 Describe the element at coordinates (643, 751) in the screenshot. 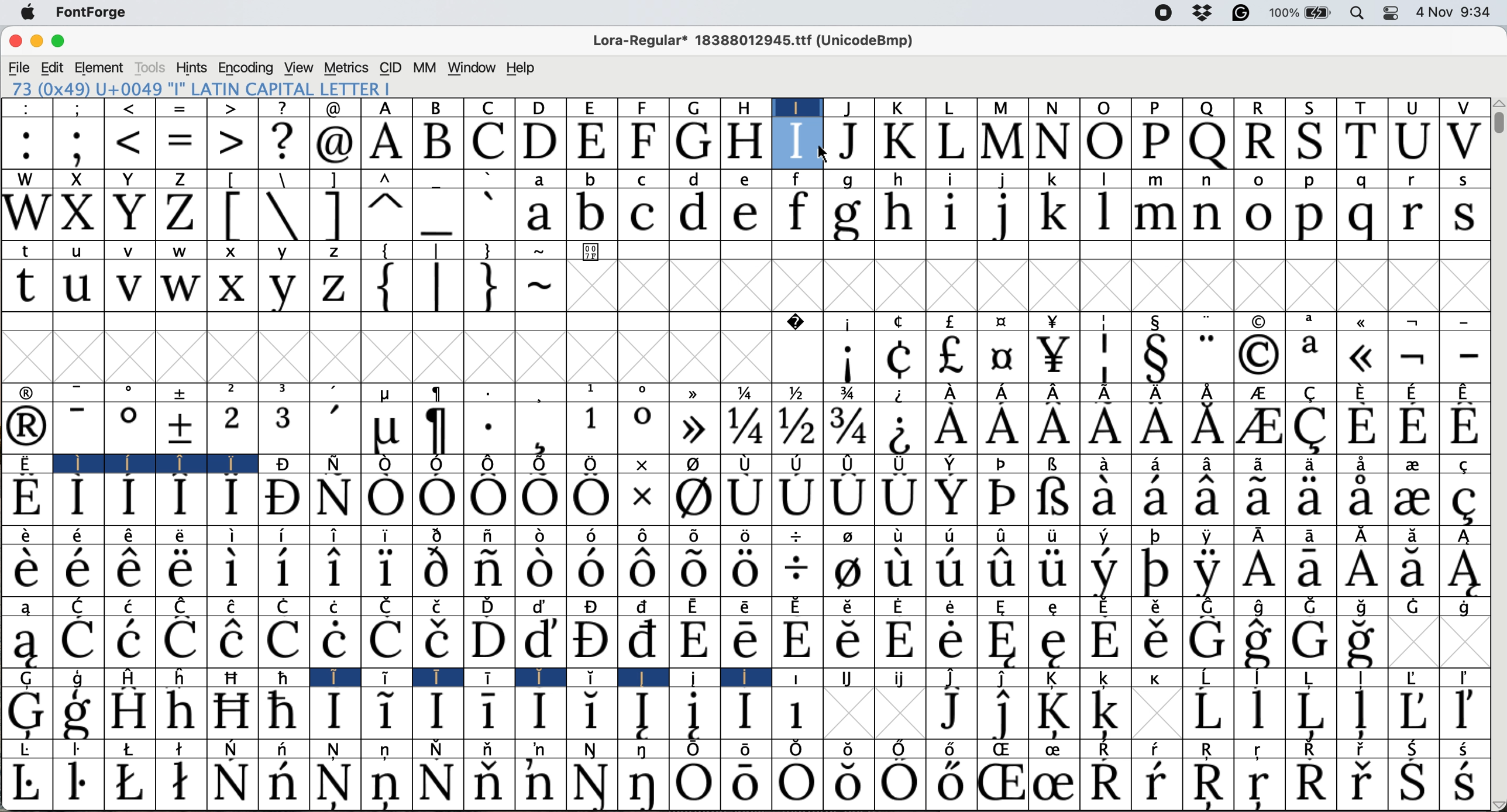

I see `Symbol` at that location.